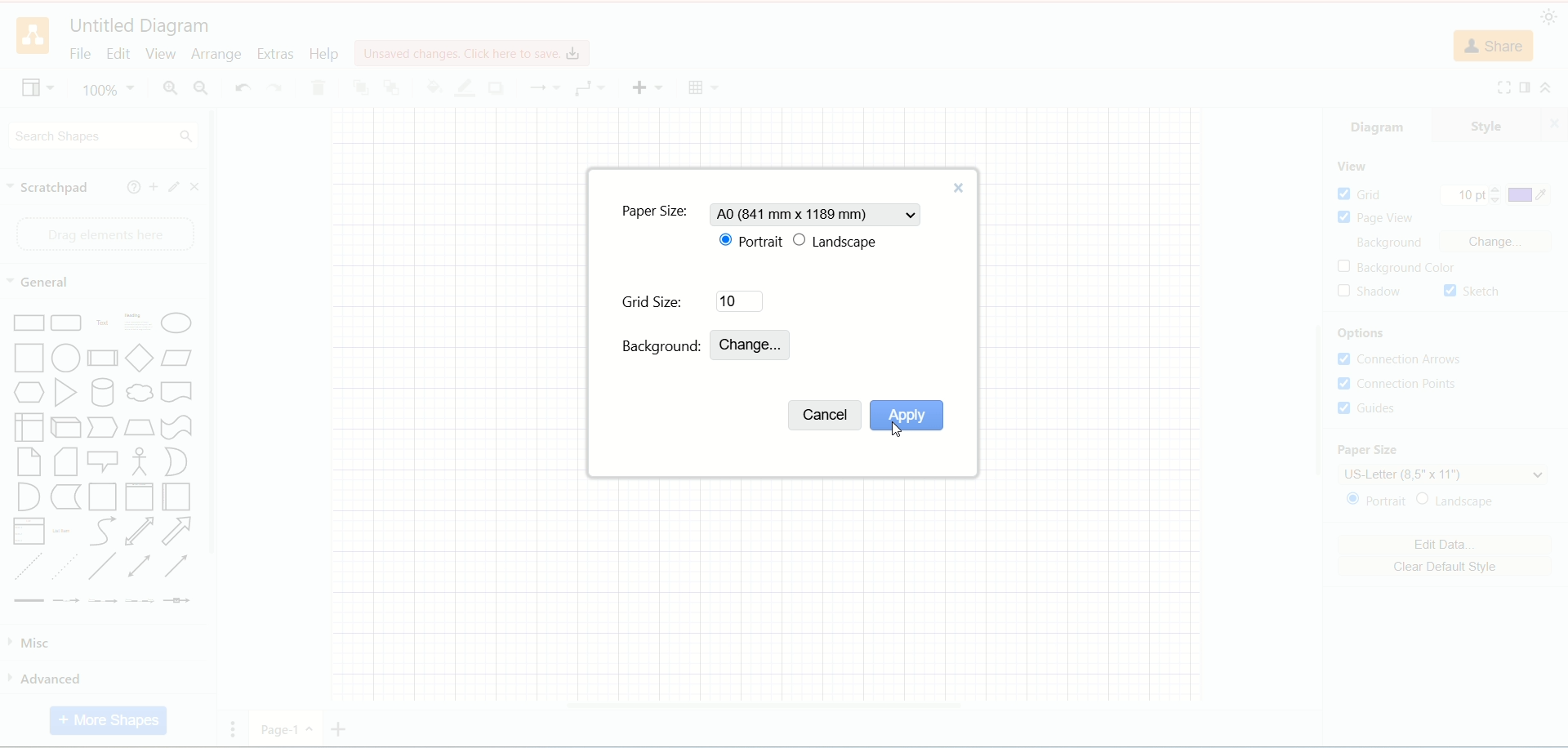 The image size is (1568, 748). Describe the element at coordinates (49, 189) in the screenshot. I see `scratch pad` at that location.